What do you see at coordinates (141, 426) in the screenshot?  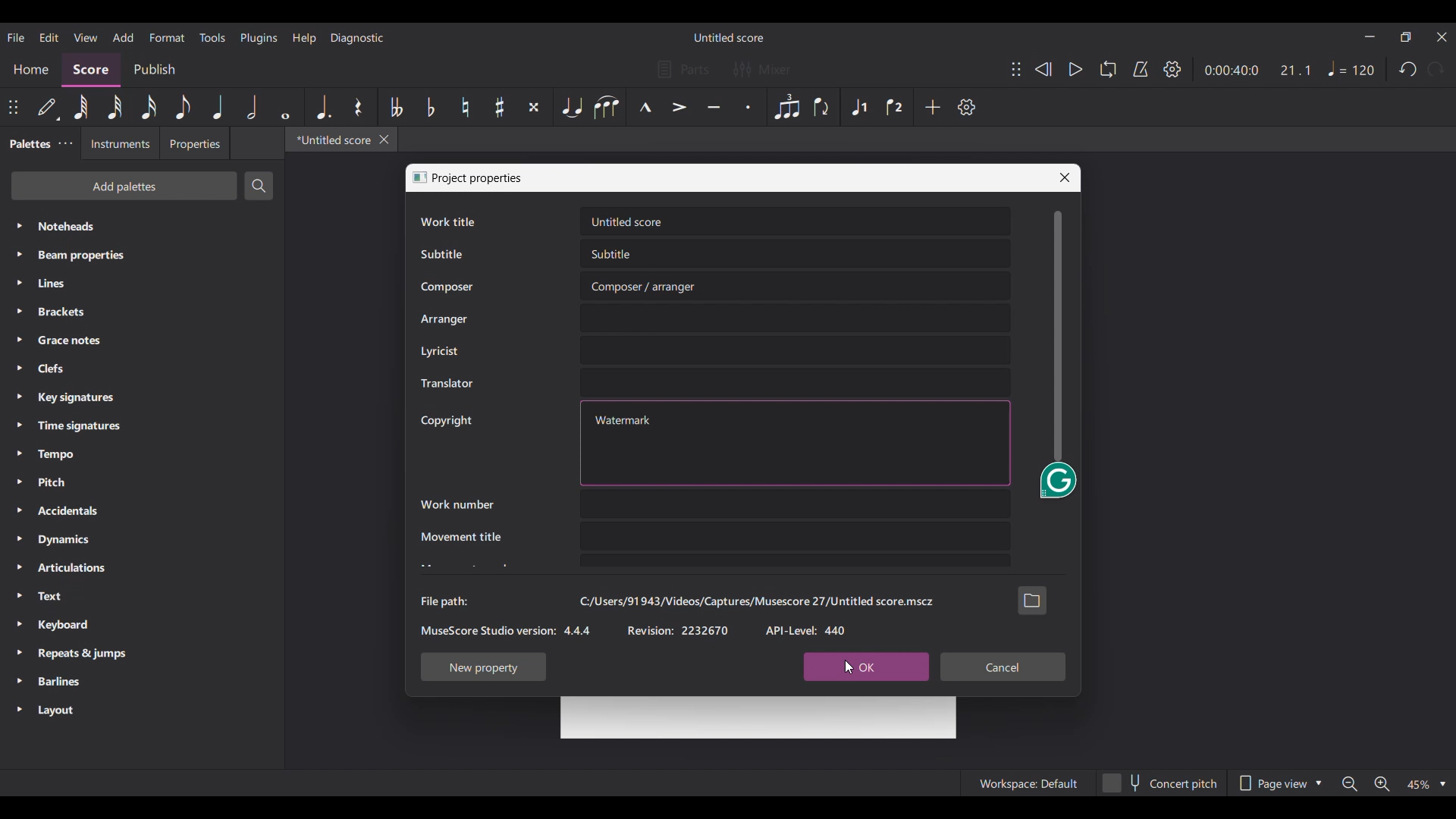 I see `Time signatures` at bounding box center [141, 426].